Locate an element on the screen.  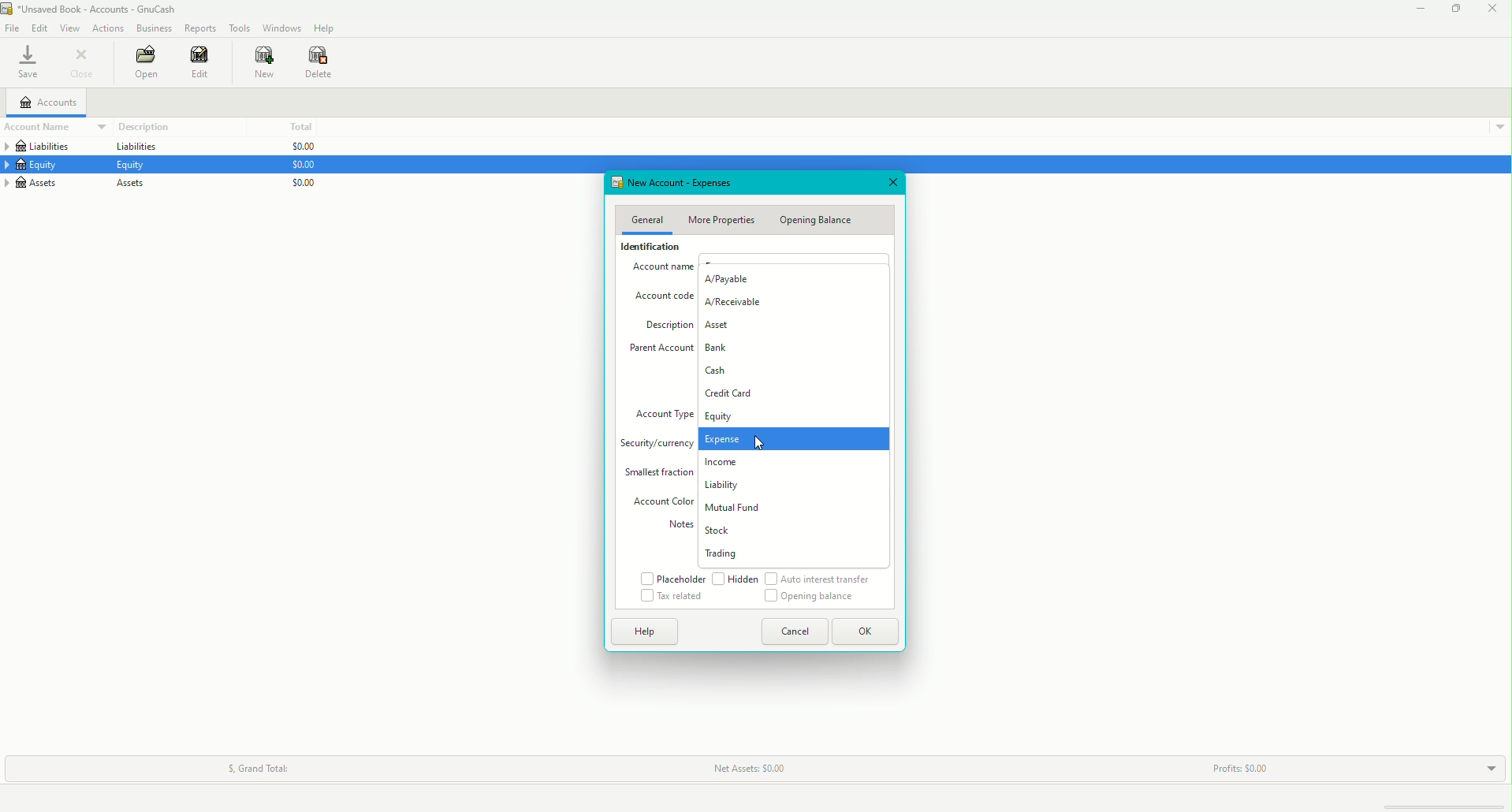
Credit Card is located at coordinates (731, 393).